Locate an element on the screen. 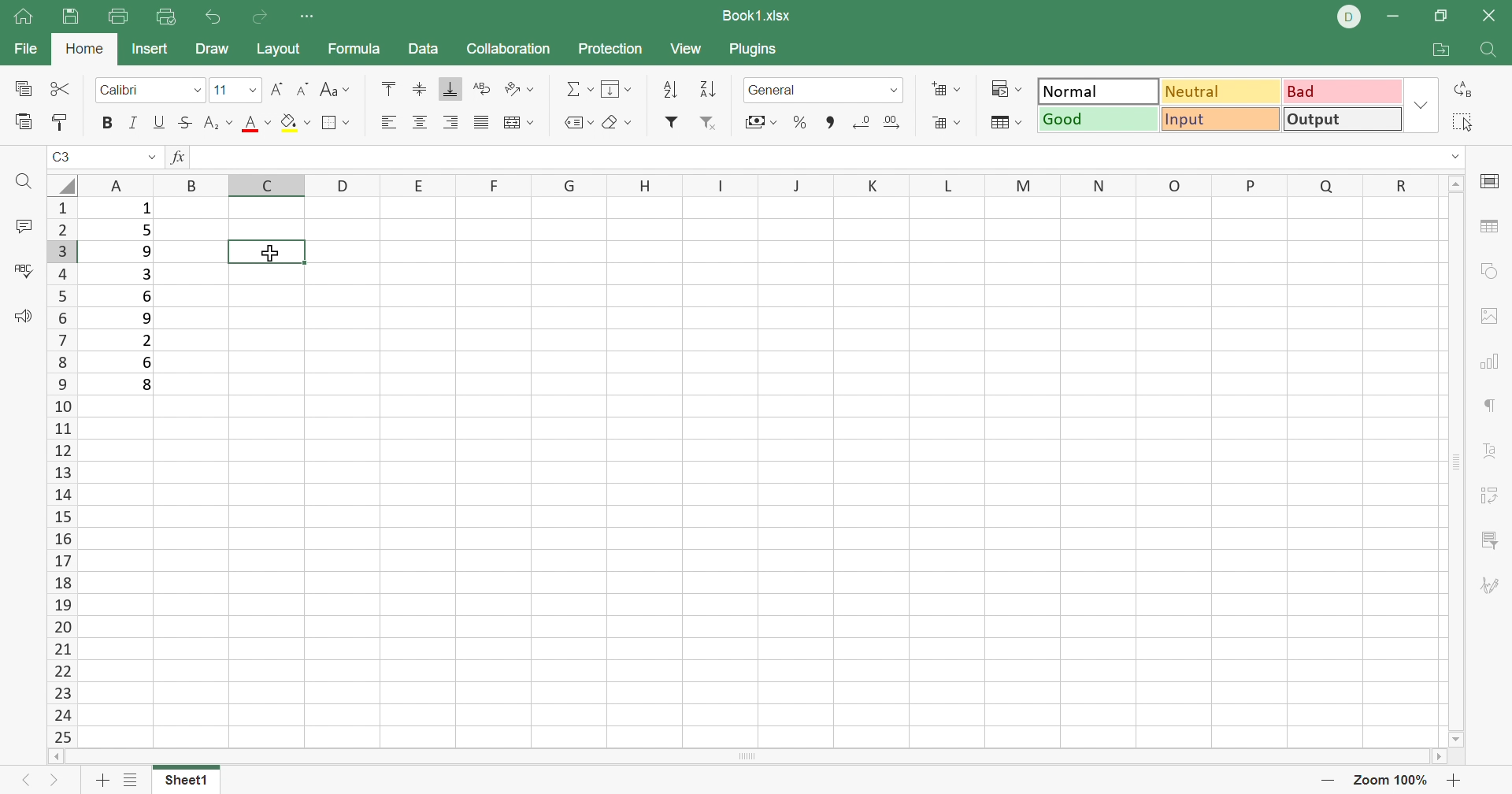  Align middle is located at coordinates (419, 87).